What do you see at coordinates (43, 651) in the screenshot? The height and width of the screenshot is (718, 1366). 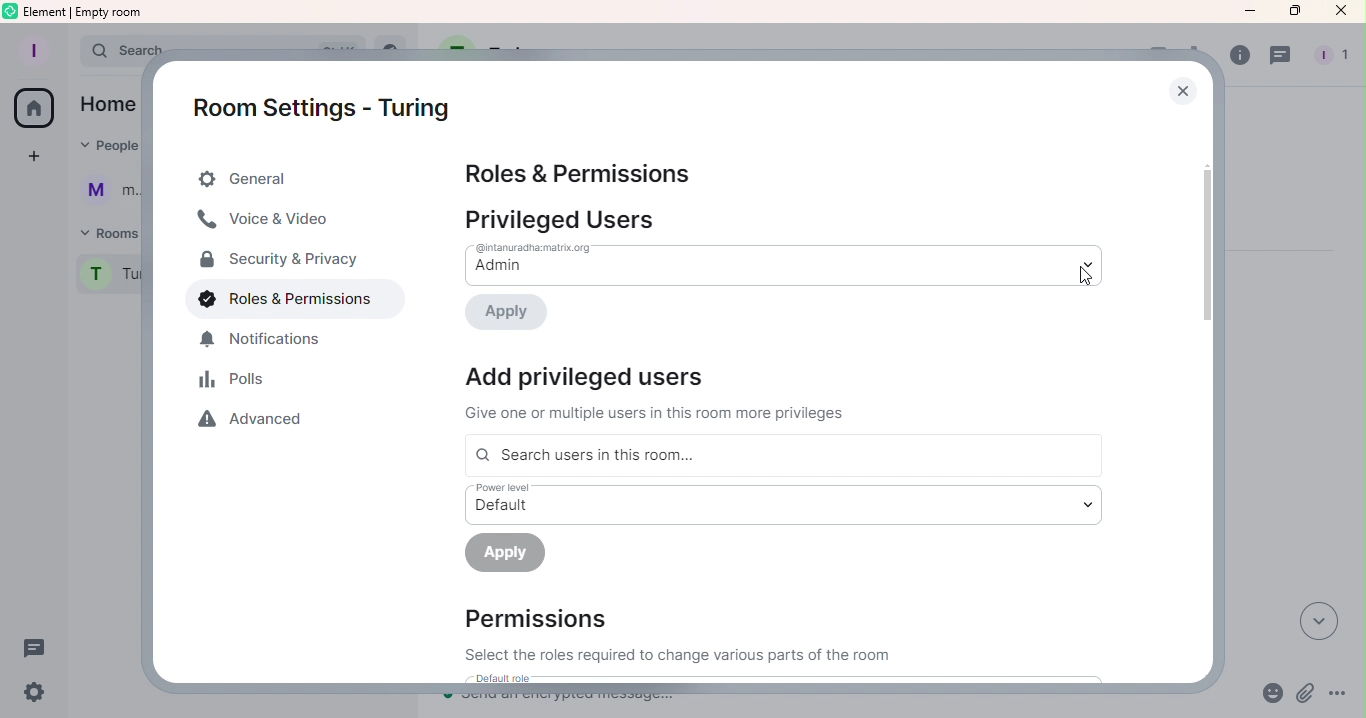 I see `Threads` at bounding box center [43, 651].